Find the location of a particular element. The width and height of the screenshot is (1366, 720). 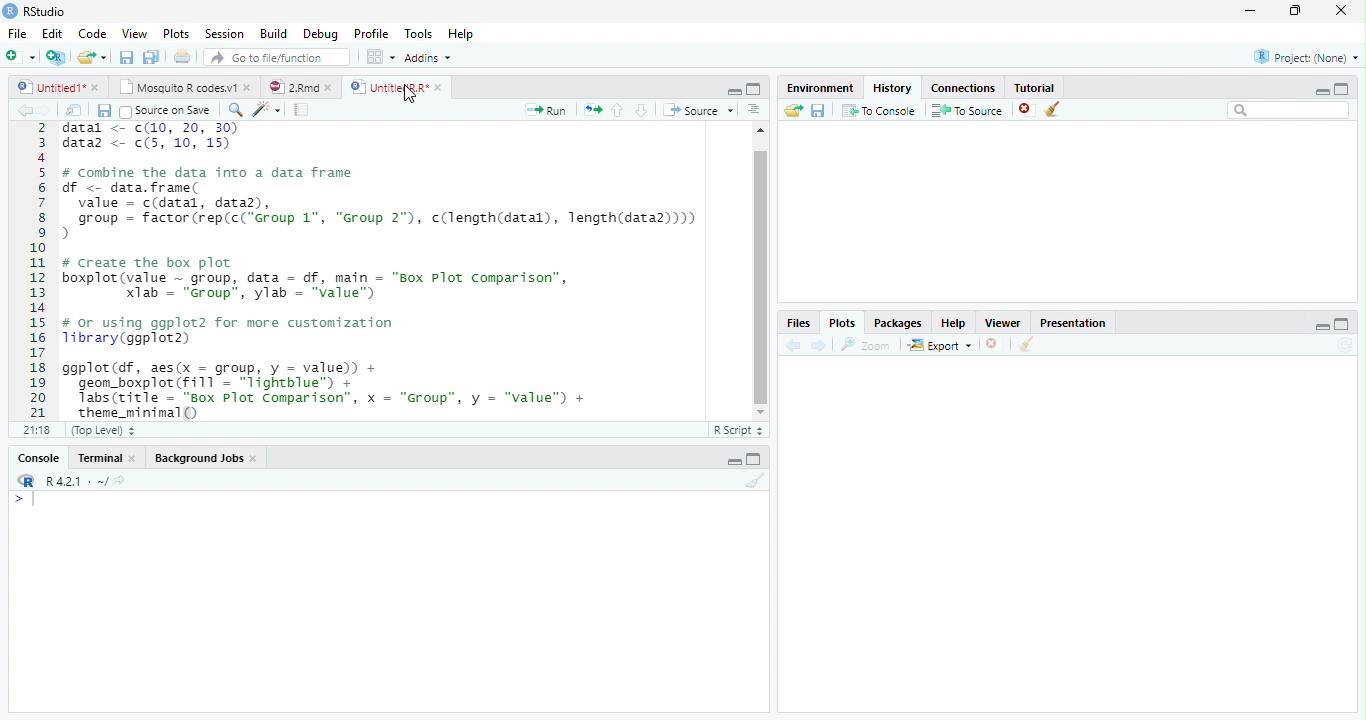

Clear all history entries is located at coordinates (1053, 109).